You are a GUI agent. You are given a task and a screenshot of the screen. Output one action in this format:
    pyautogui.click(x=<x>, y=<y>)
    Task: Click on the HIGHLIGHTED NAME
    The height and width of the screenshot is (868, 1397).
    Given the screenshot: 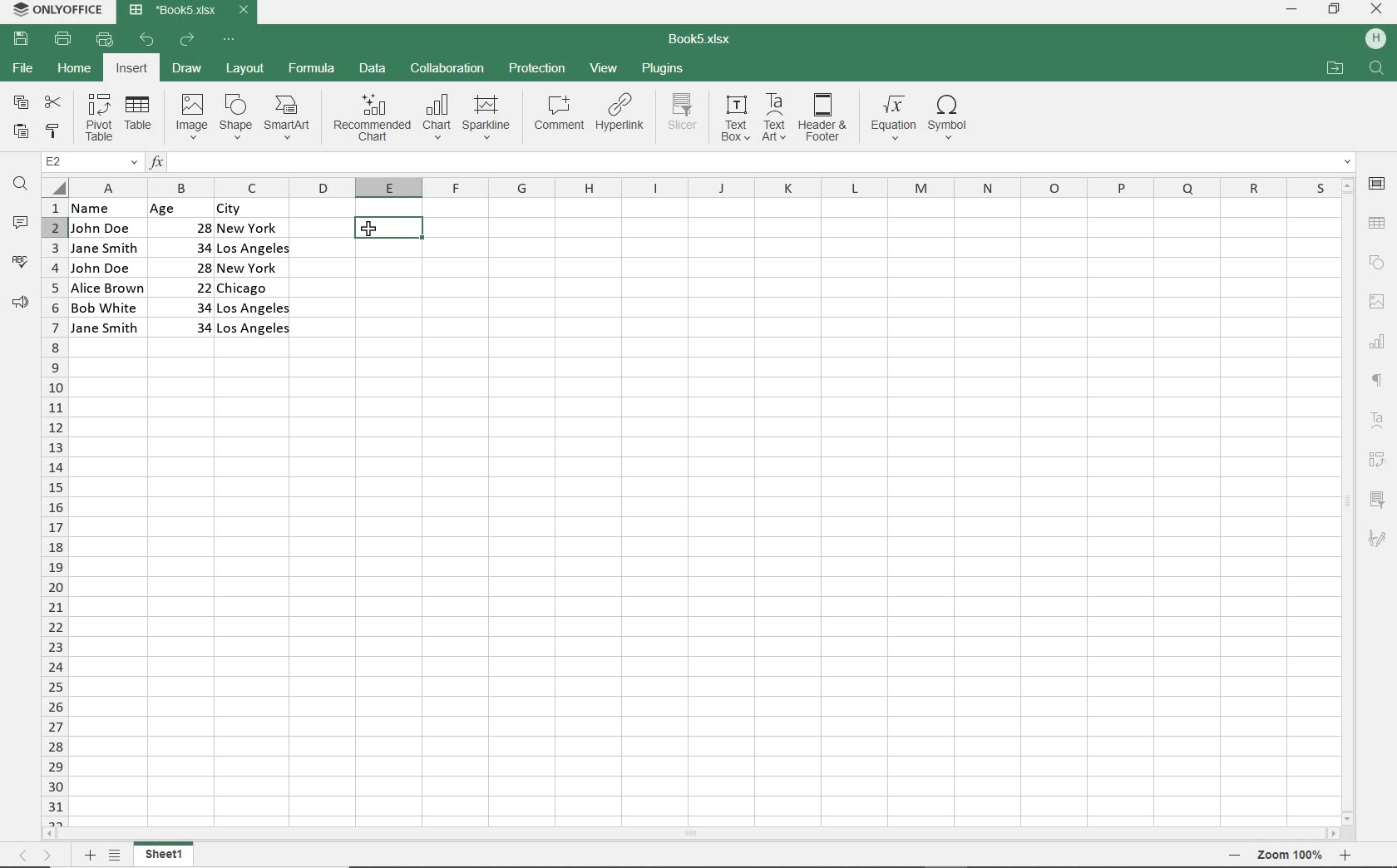 What is the action you would take?
    pyautogui.click(x=388, y=228)
    